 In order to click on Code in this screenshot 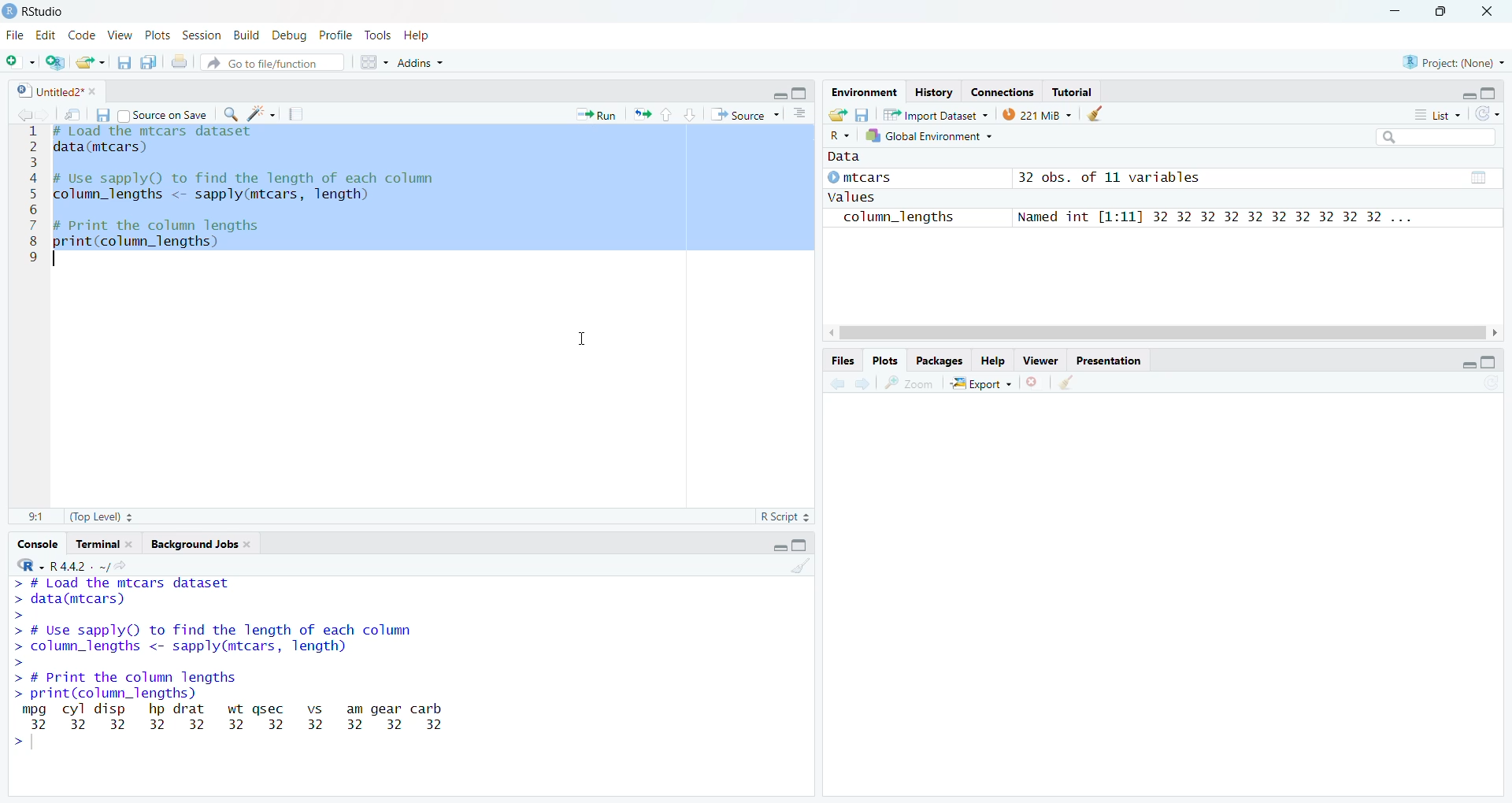, I will do `click(83, 35)`.